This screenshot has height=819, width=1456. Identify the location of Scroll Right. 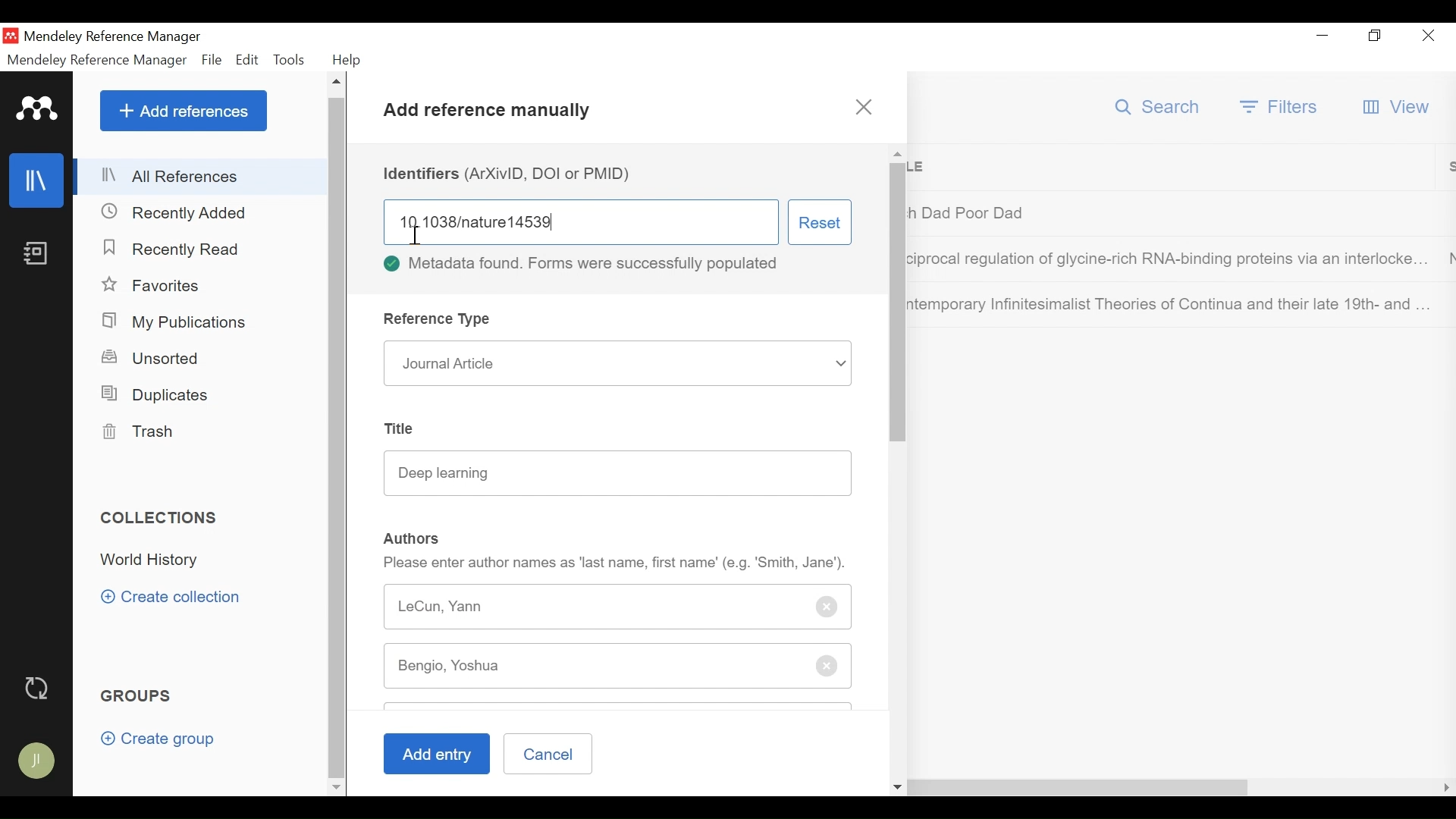
(360, 786).